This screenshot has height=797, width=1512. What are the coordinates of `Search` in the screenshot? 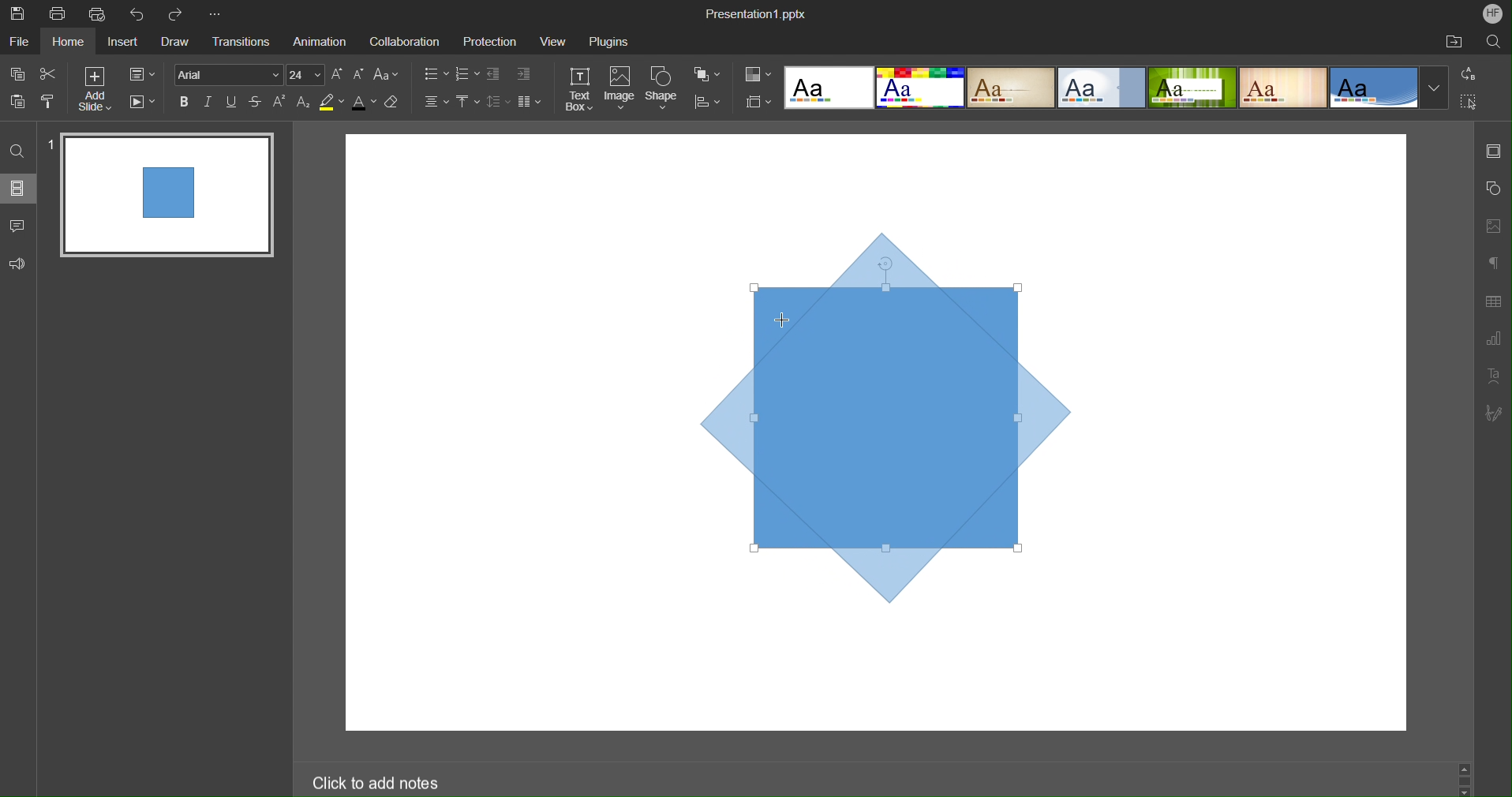 It's located at (1494, 41).